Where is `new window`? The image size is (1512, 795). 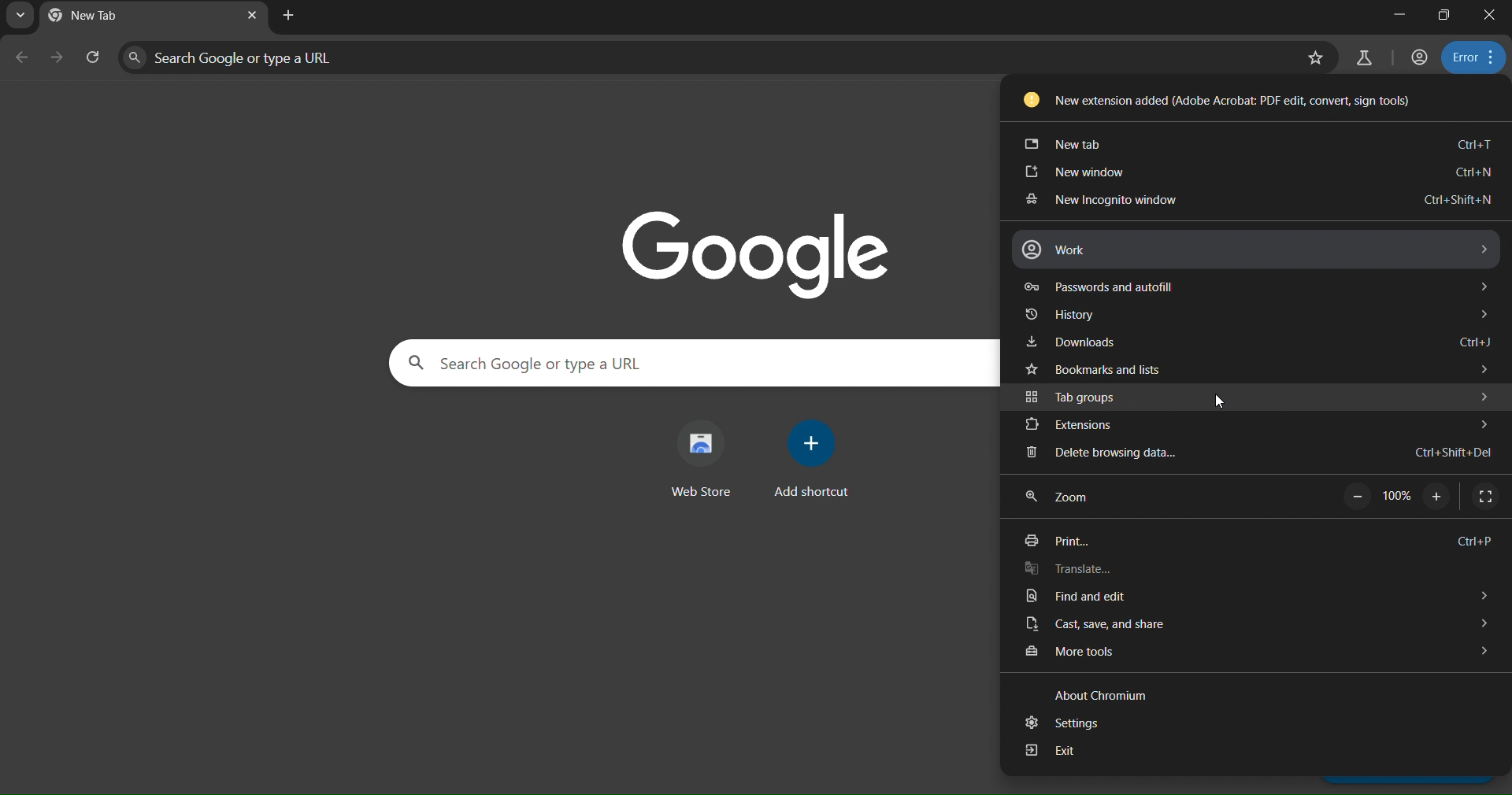
new window is located at coordinates (1256, 172).